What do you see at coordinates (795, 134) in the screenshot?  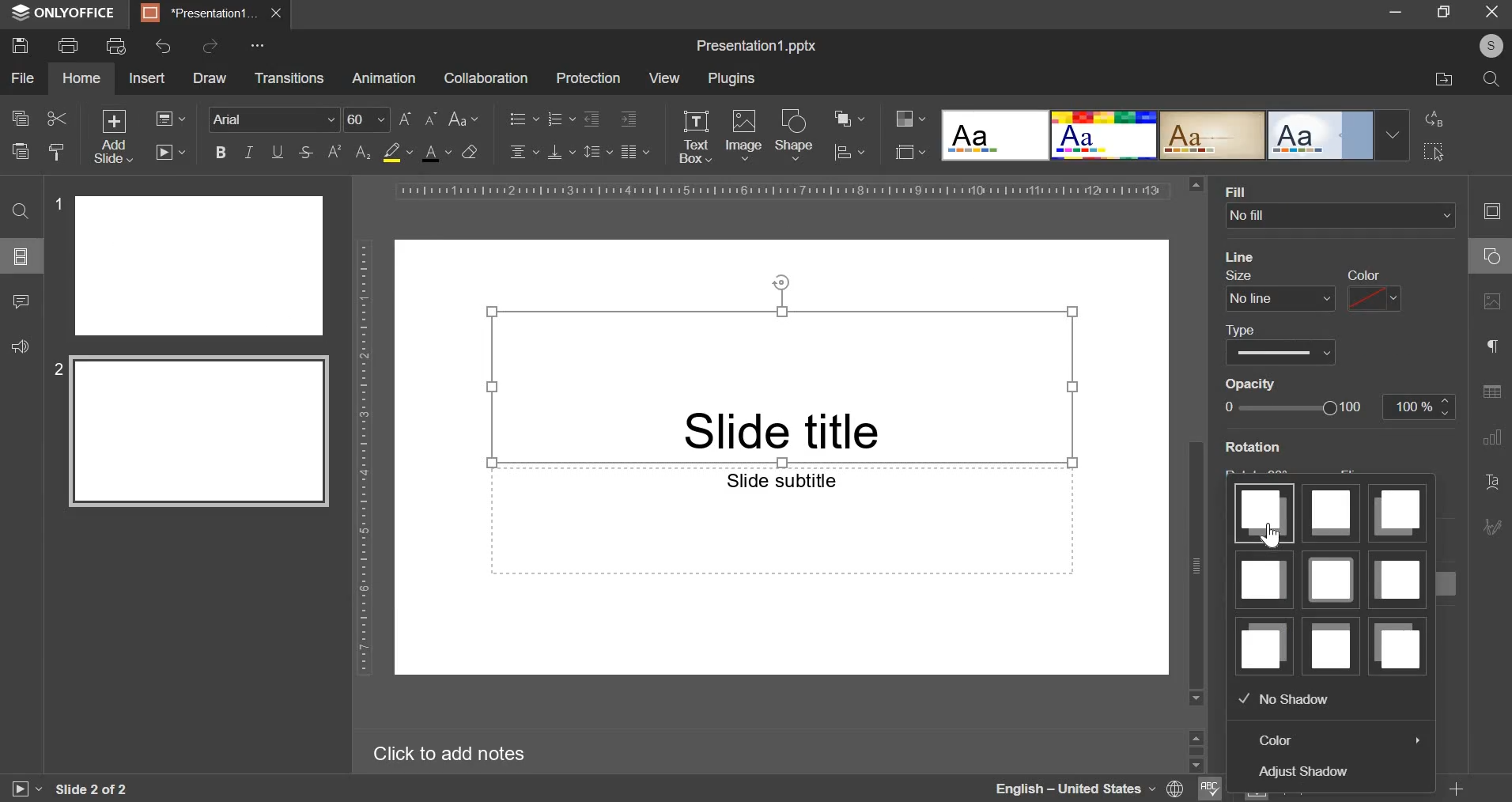 I see `shape` at bounding box center [795, 134].